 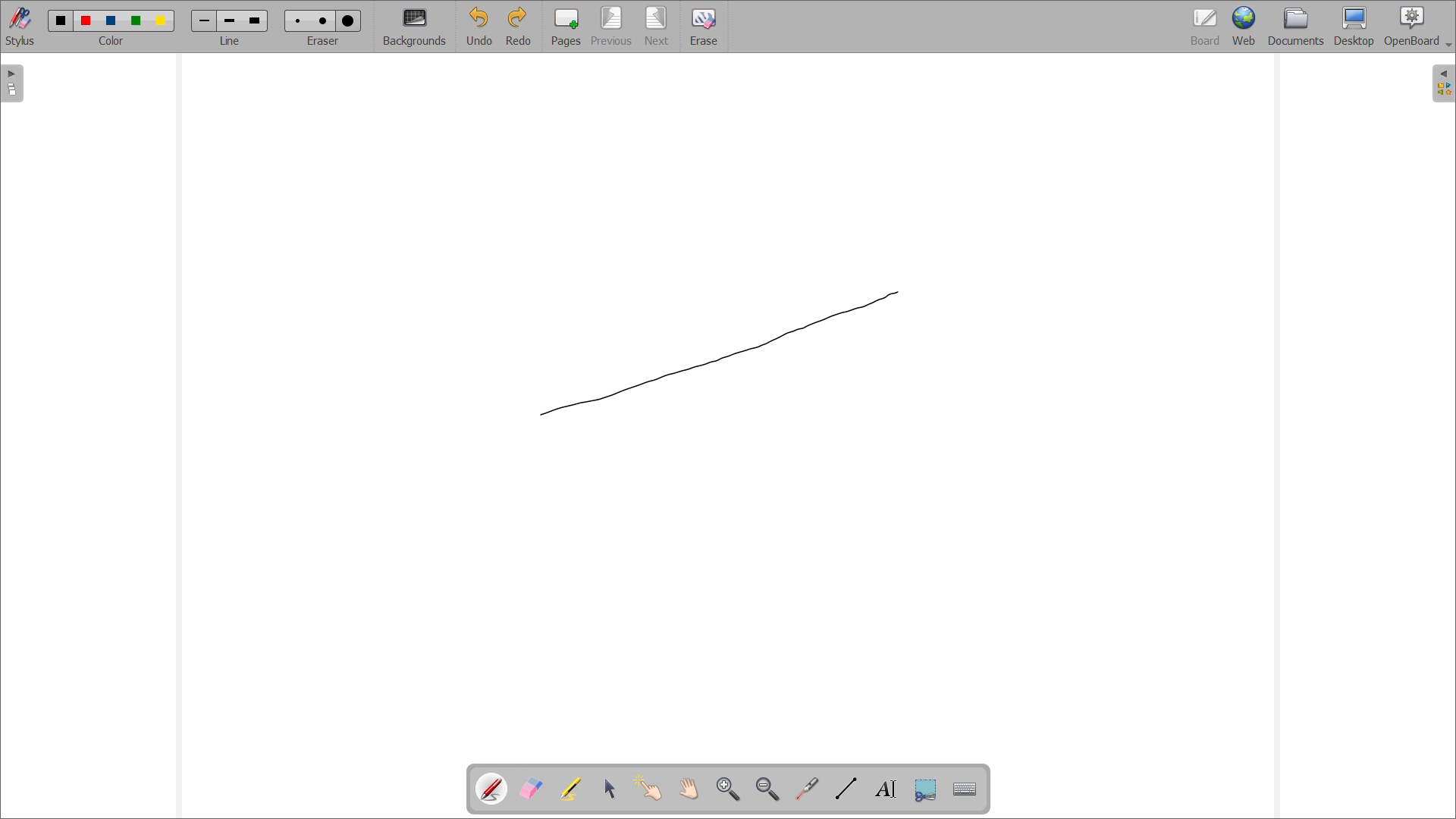 I want to click on desktop, so click(x=1354, y=27).